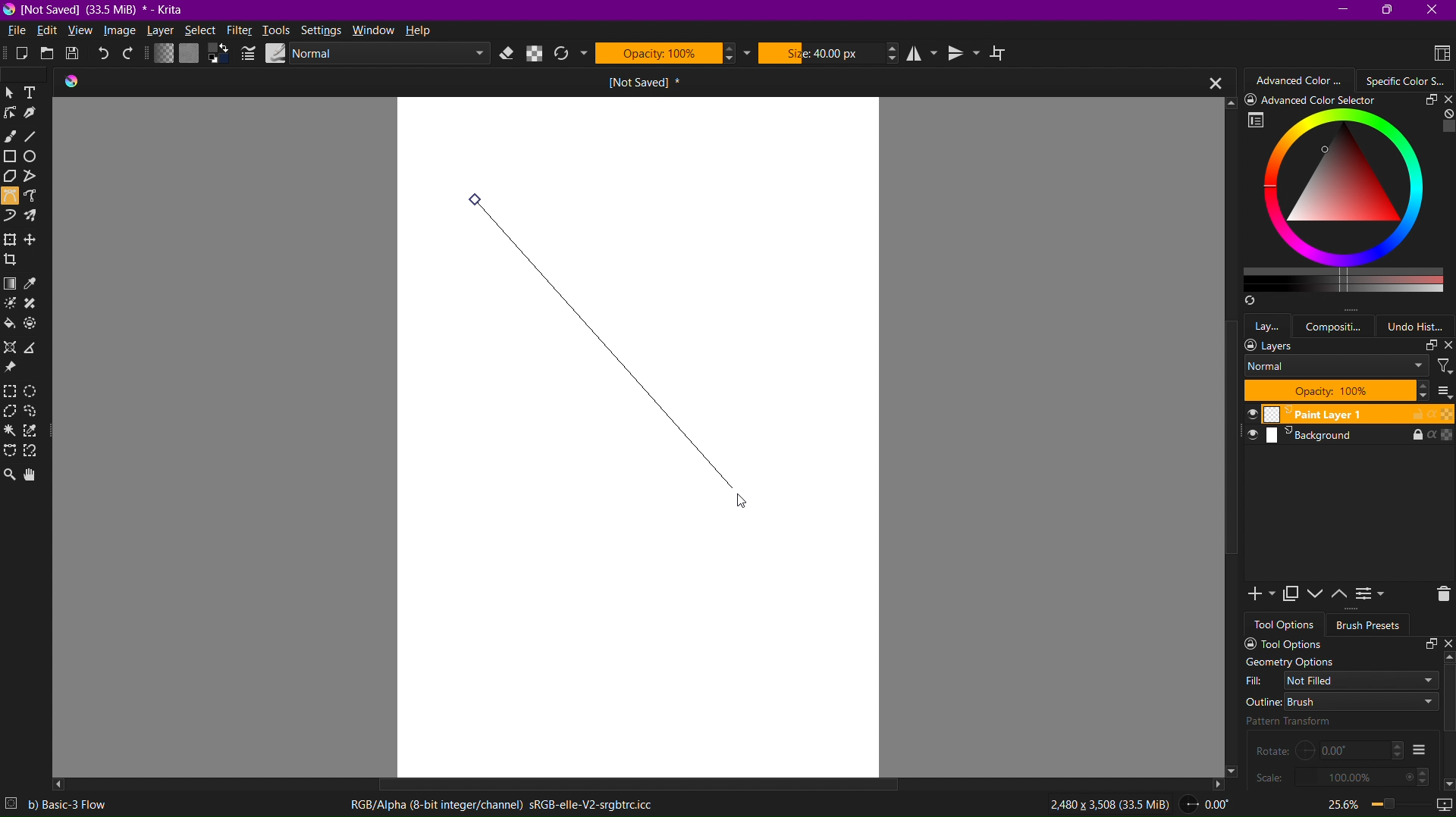  What do you see at coordinates (36, 433) in the screenshot?
I see `Similar Color Selection Tool` at bounding box center [36, 433].